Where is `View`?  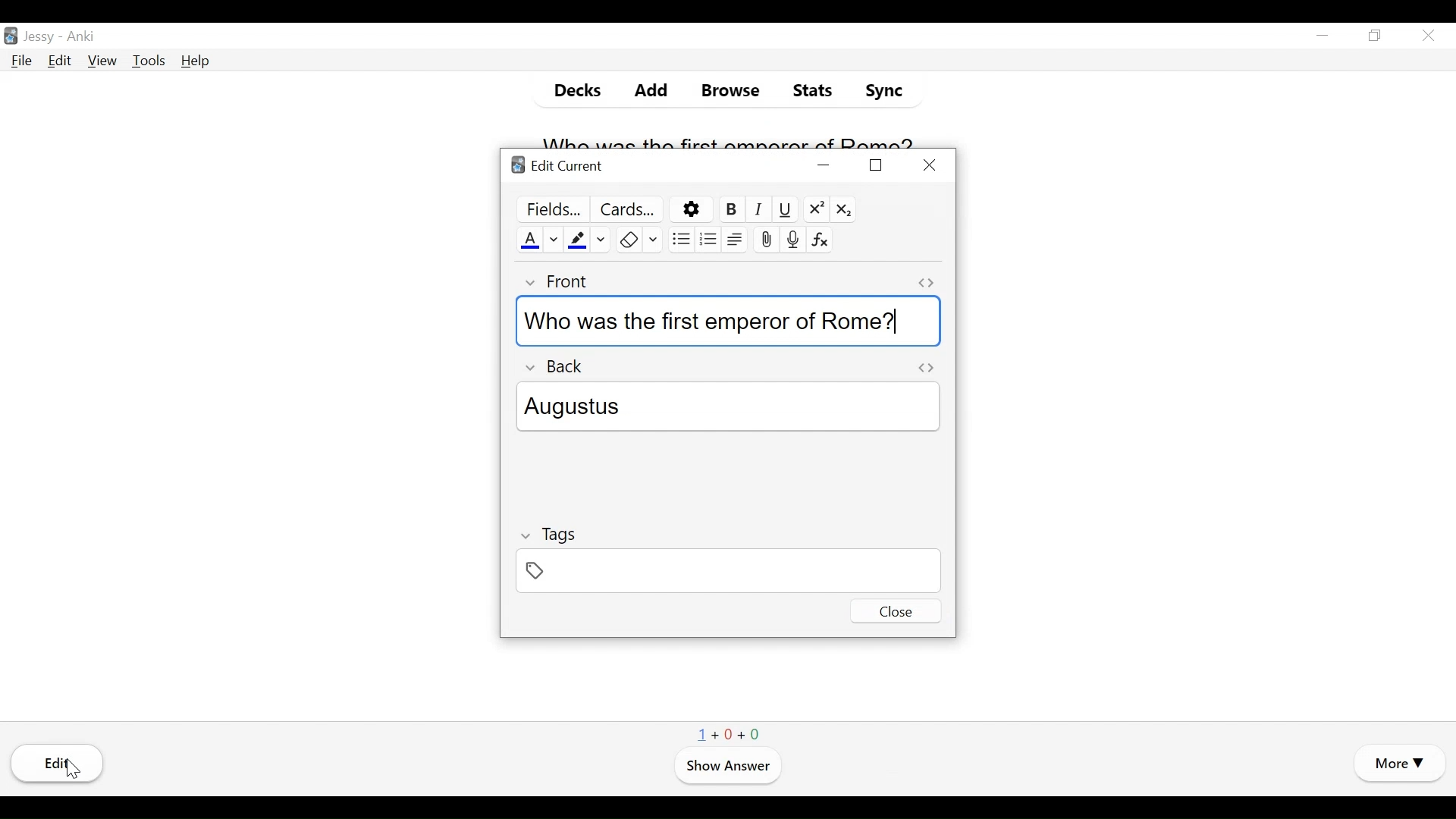
View is located at coordinates (101, 61).